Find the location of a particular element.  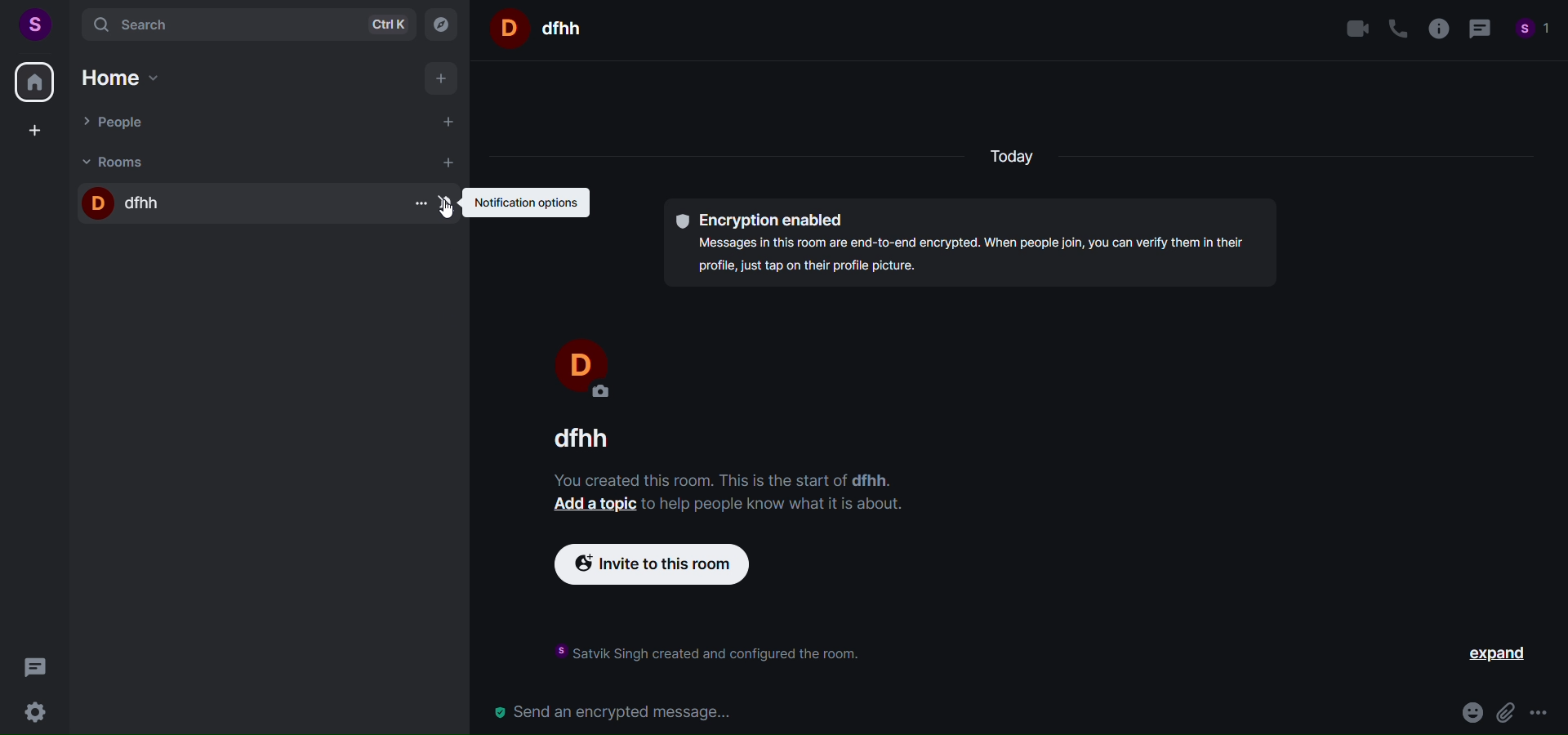

create a space is located at coordinates (40, 132).